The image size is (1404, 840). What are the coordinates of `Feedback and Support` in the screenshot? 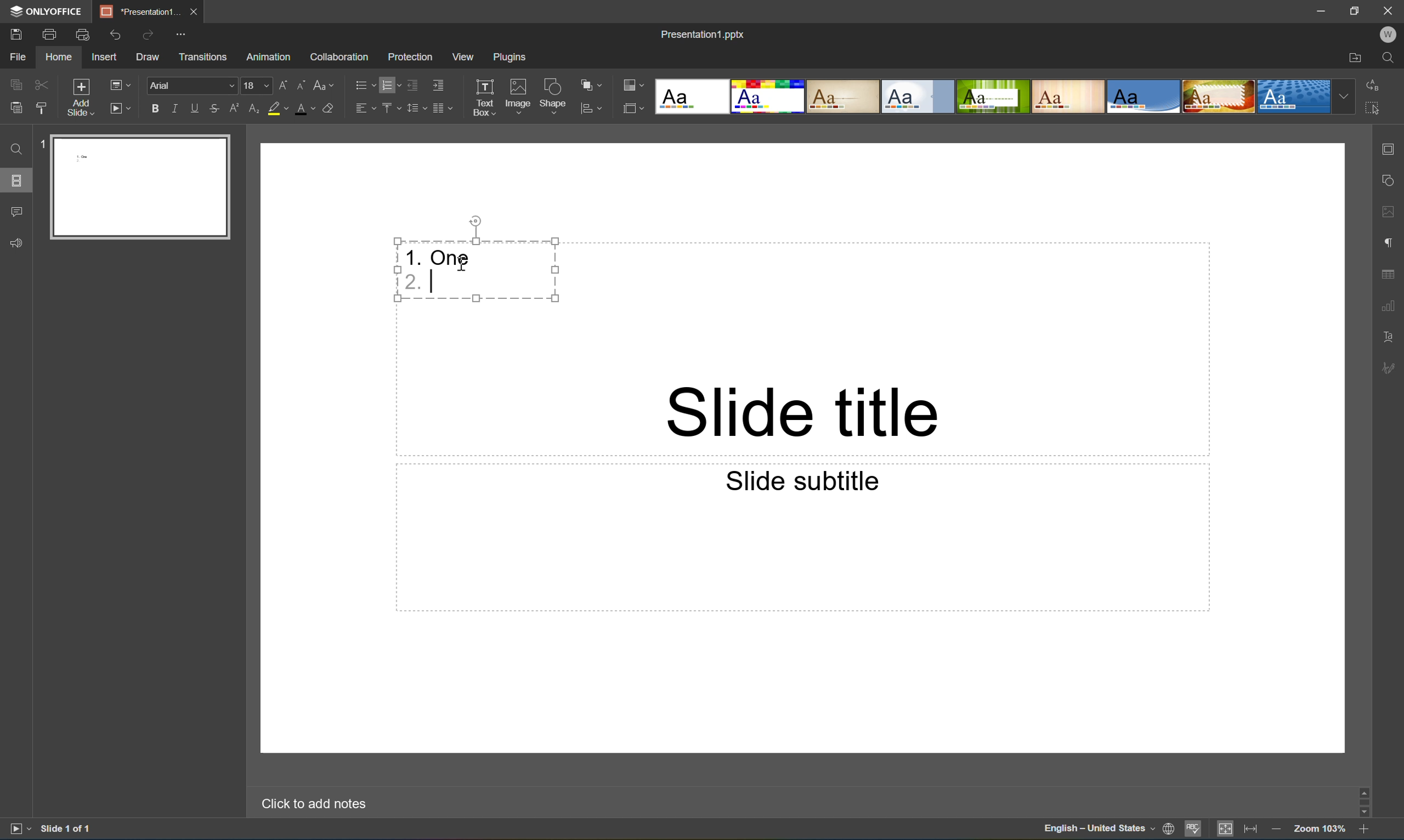 It's located at (19, 246).